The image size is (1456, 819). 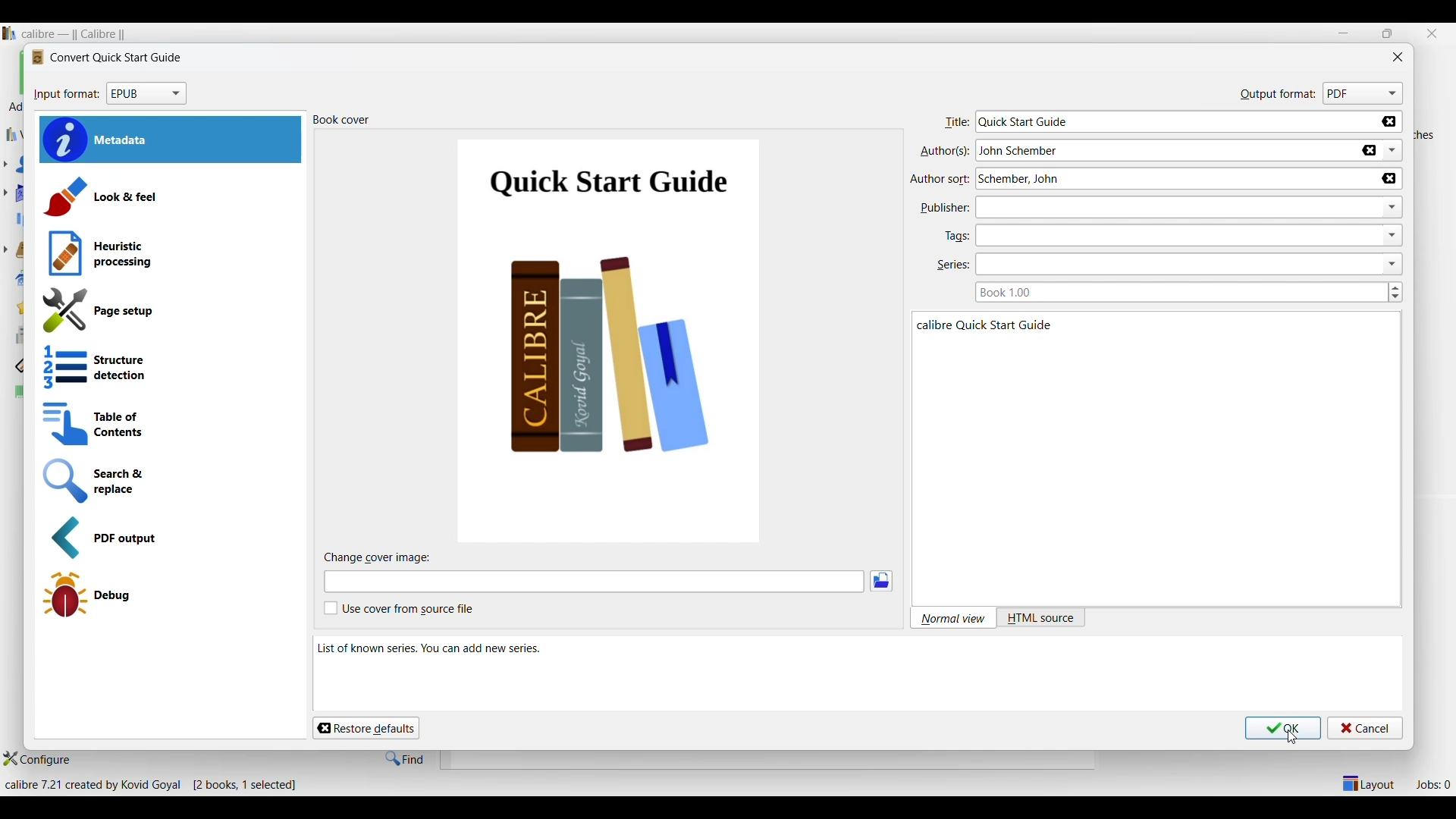 I want to click on Input format options, so click(x=147, y=94).